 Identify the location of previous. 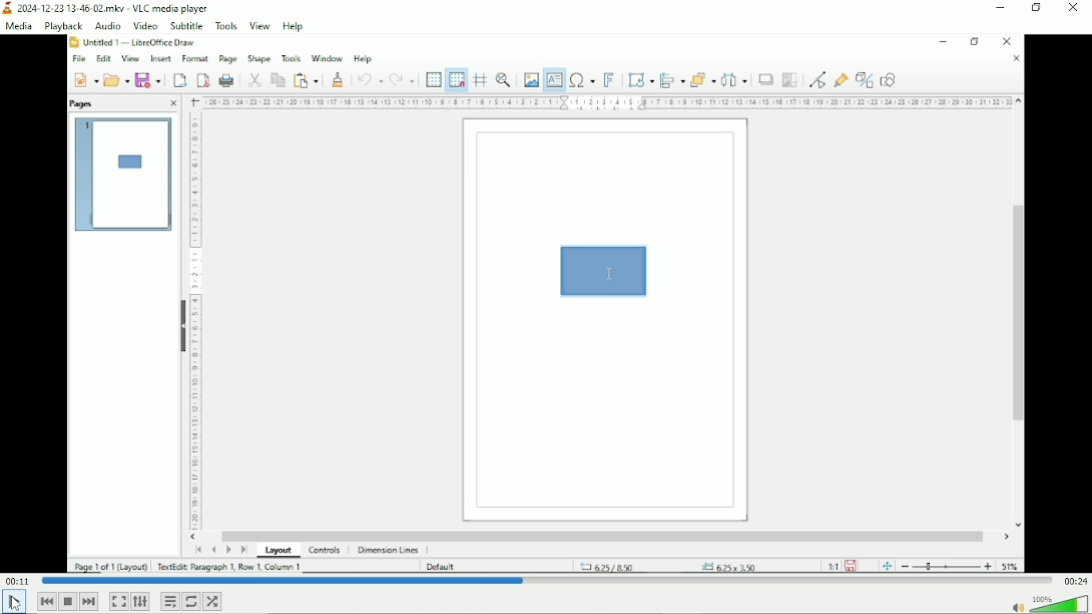
(46, 601).